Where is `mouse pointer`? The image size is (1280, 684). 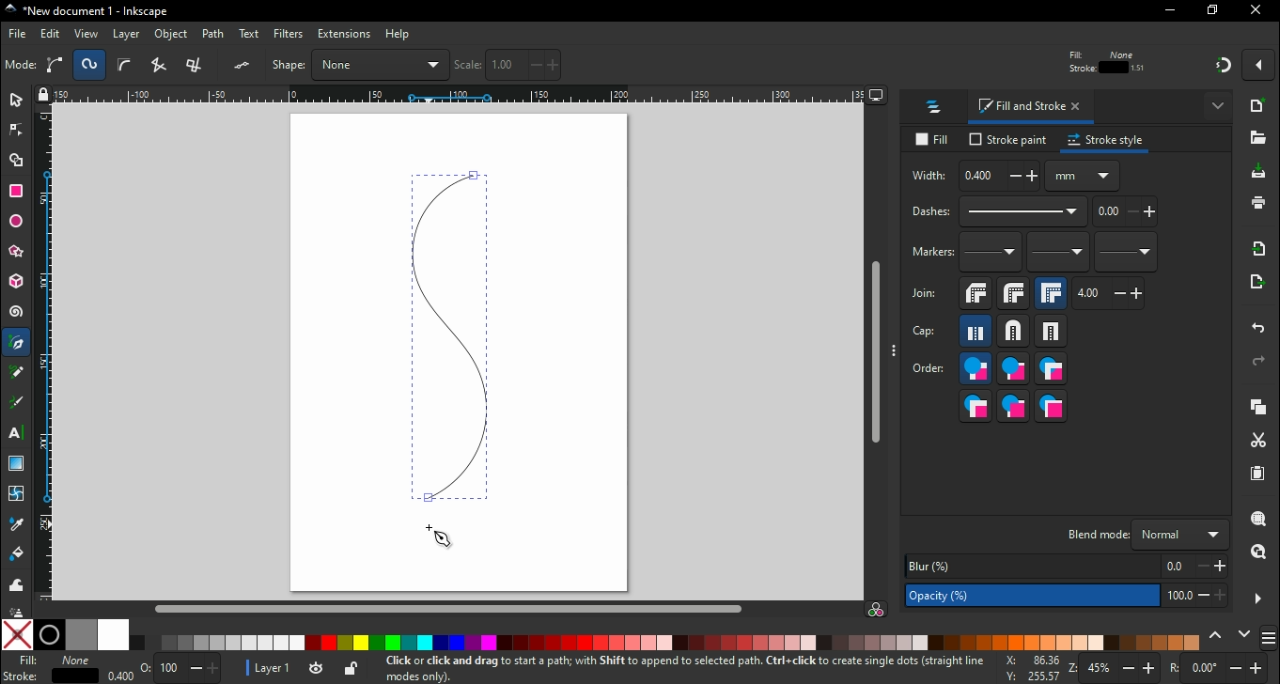
mouse pointer is located at coordinates (440, 539).